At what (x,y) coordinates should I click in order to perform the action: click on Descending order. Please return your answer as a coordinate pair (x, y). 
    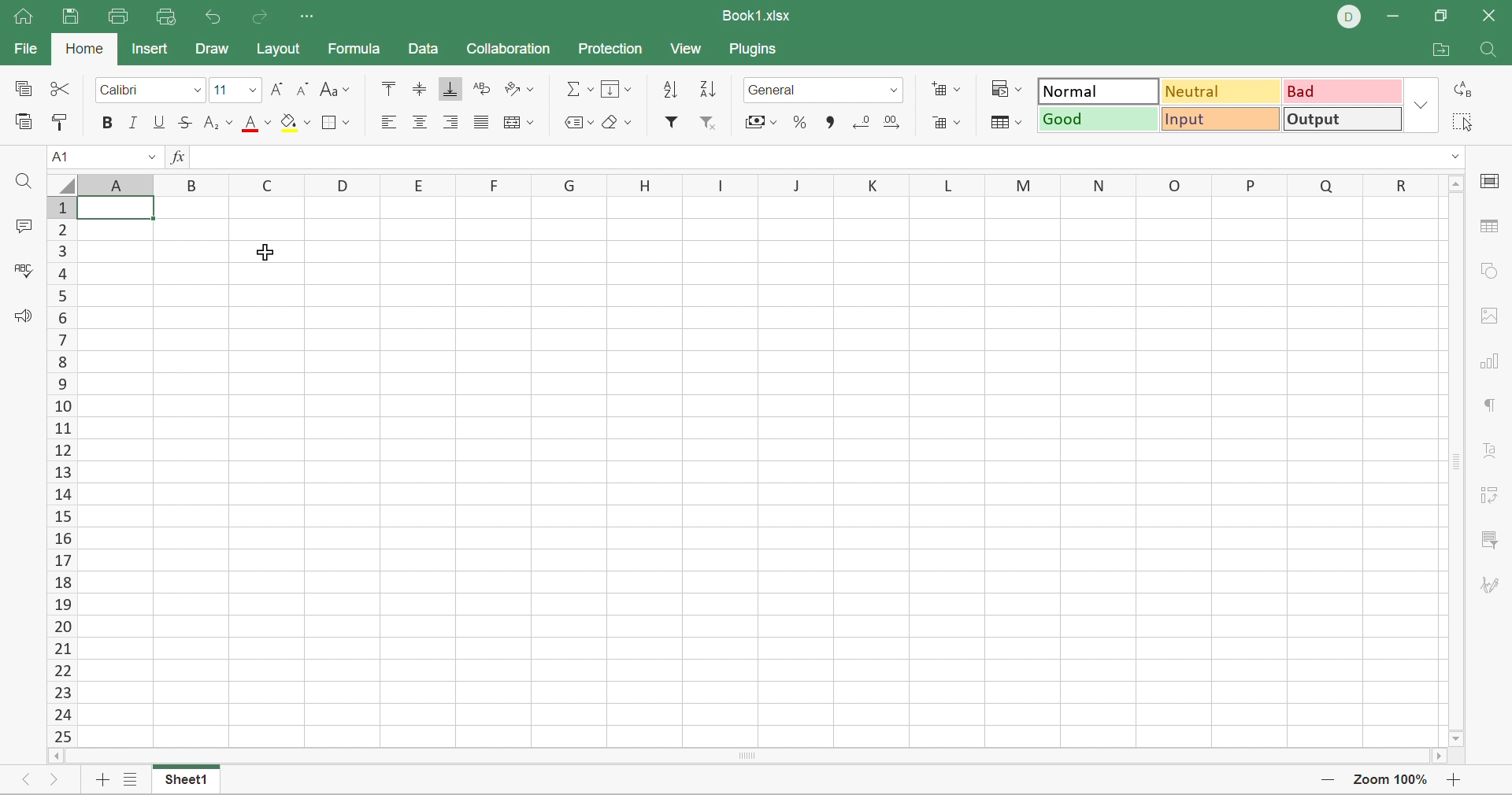
    Looking at the image, I should click on (706, 89).